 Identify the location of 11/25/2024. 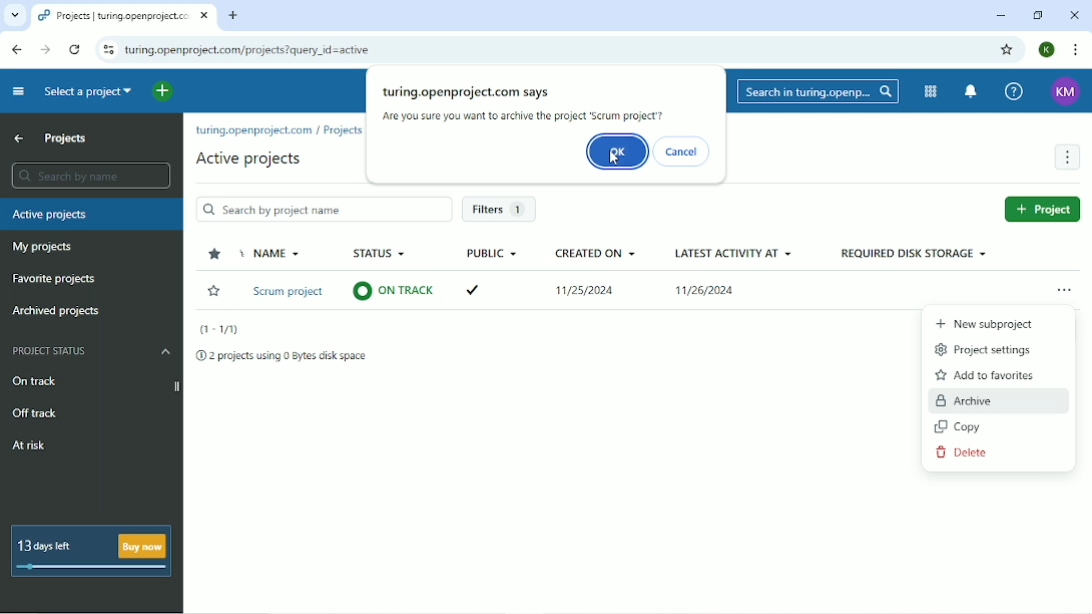
(590, 294).